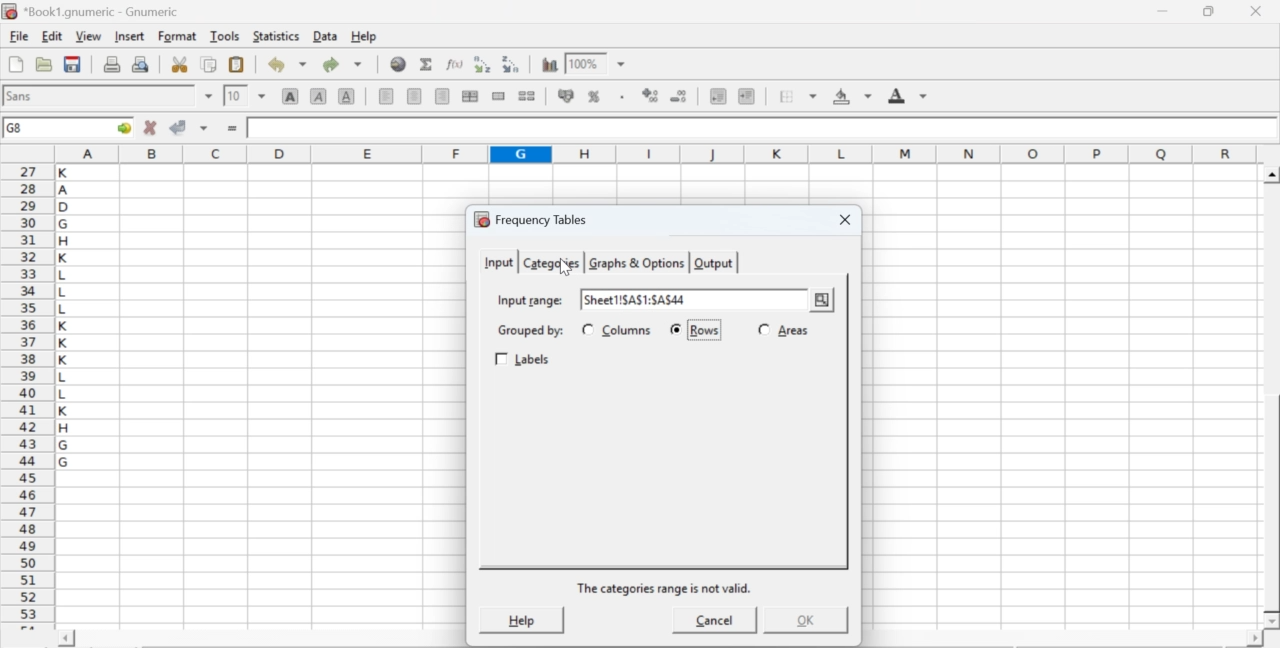 The width and height of the screenshot is (1280, 648). Describe the element at coordinates (73, 64) in the screenshot. I see `save current workbook` at that location.